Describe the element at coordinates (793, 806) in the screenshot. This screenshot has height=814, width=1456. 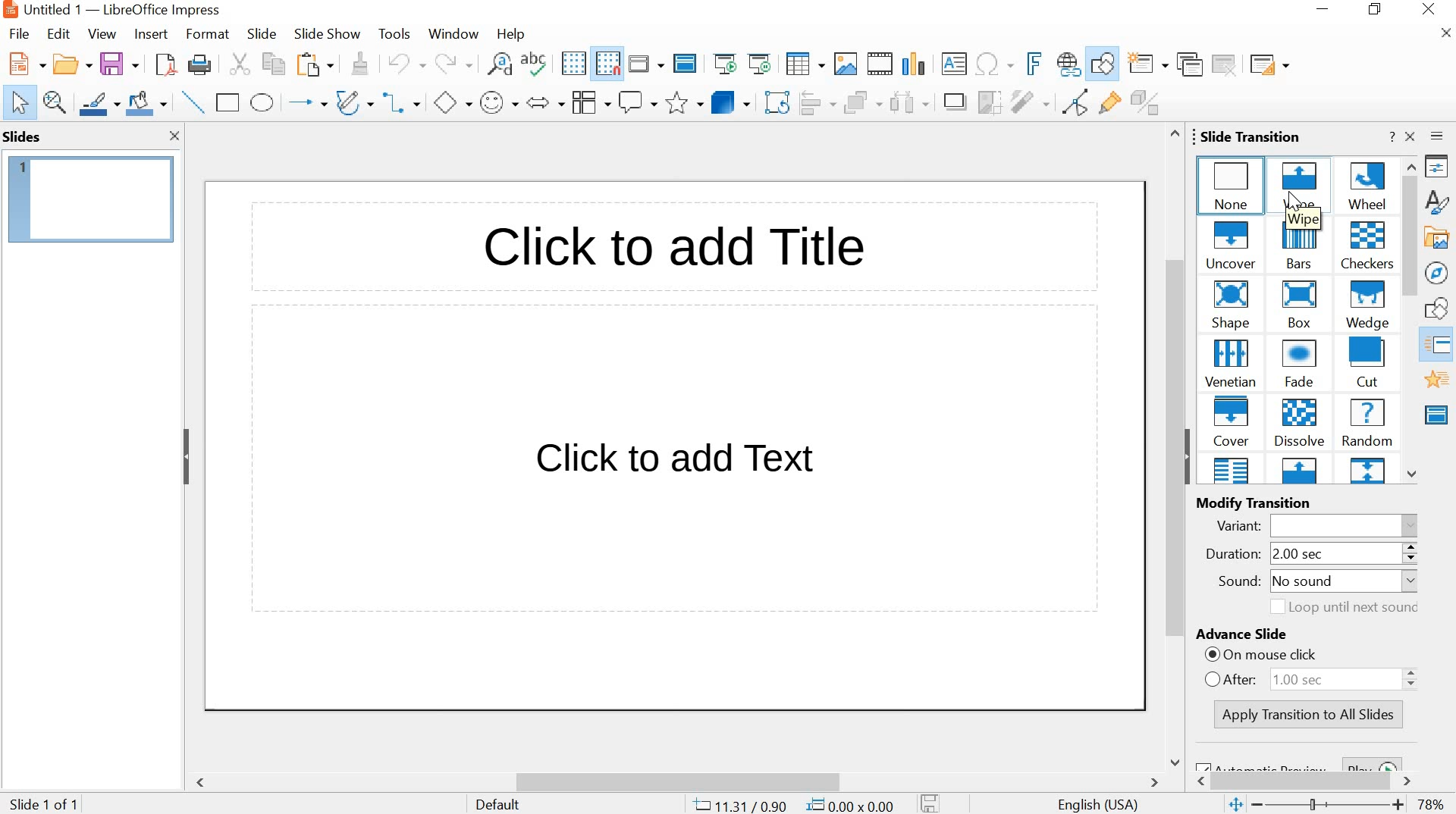
I see `POSITION AND SCALE` at that location.